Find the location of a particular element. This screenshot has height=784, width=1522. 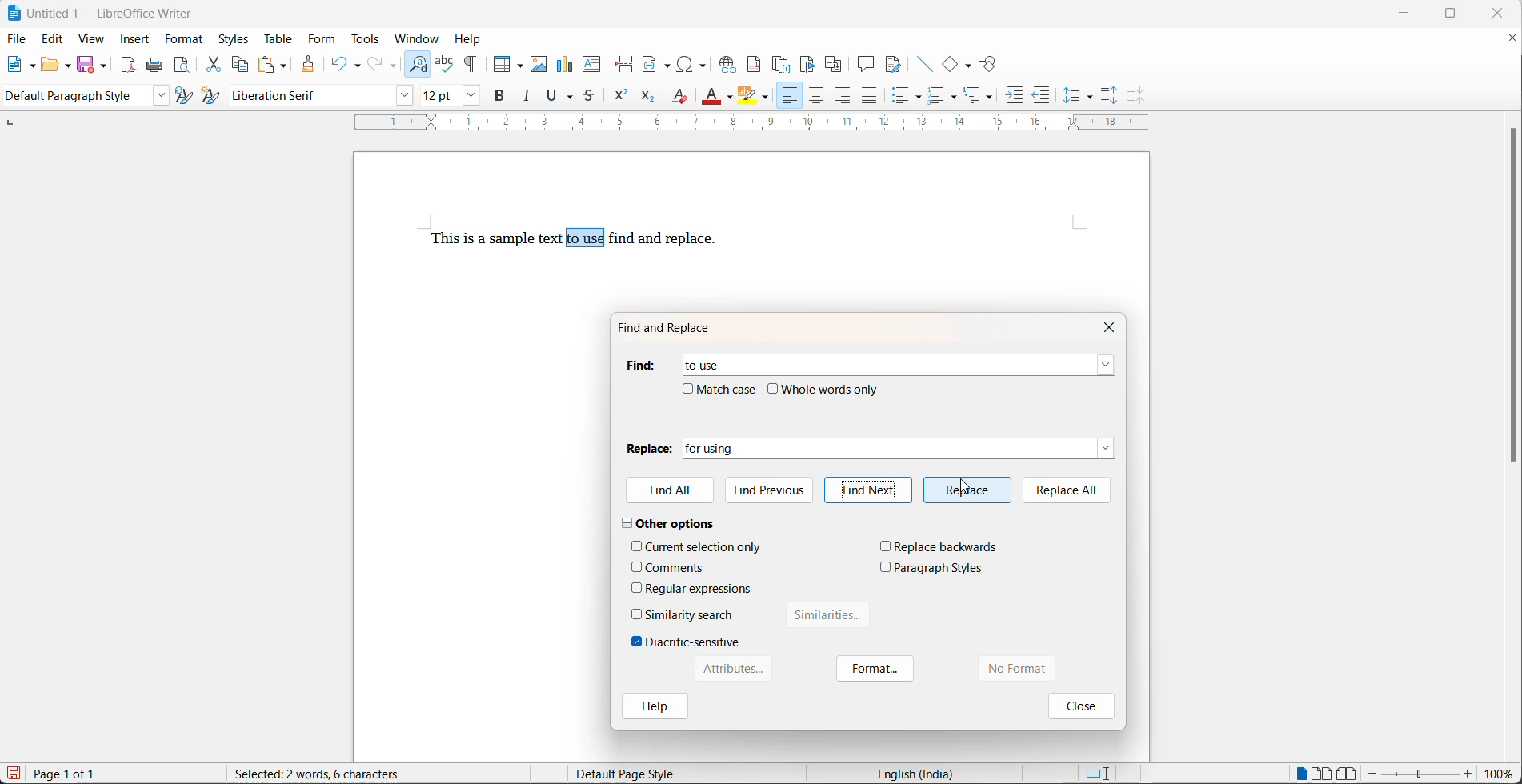

select outline formatting is located at coordinates (984, 95).